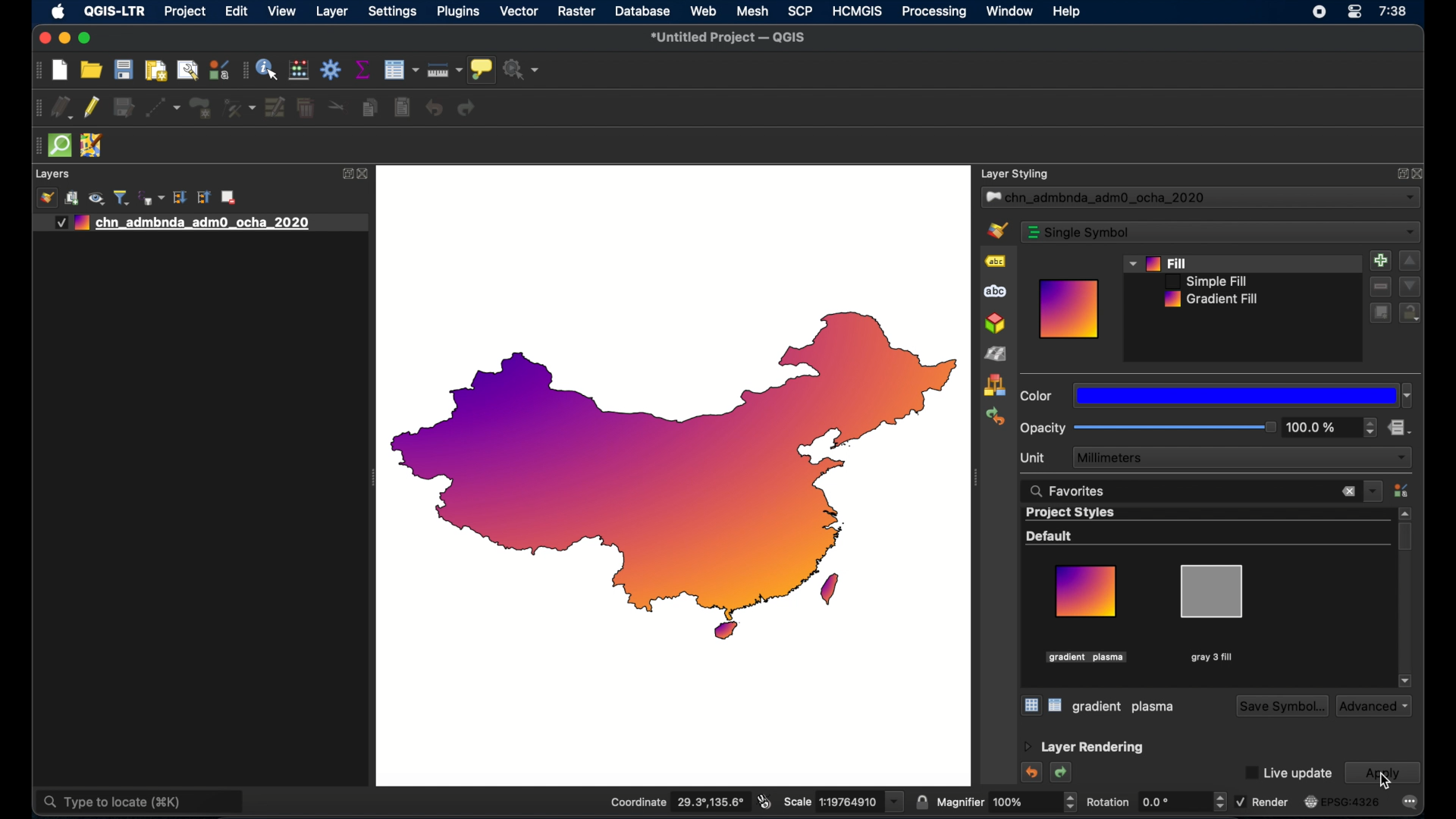 The width and height of the screenshot is (1456, 819). Describe the element at coordinates (1210, 613) in the screenshot. I see `gray 3 fill` at that location.